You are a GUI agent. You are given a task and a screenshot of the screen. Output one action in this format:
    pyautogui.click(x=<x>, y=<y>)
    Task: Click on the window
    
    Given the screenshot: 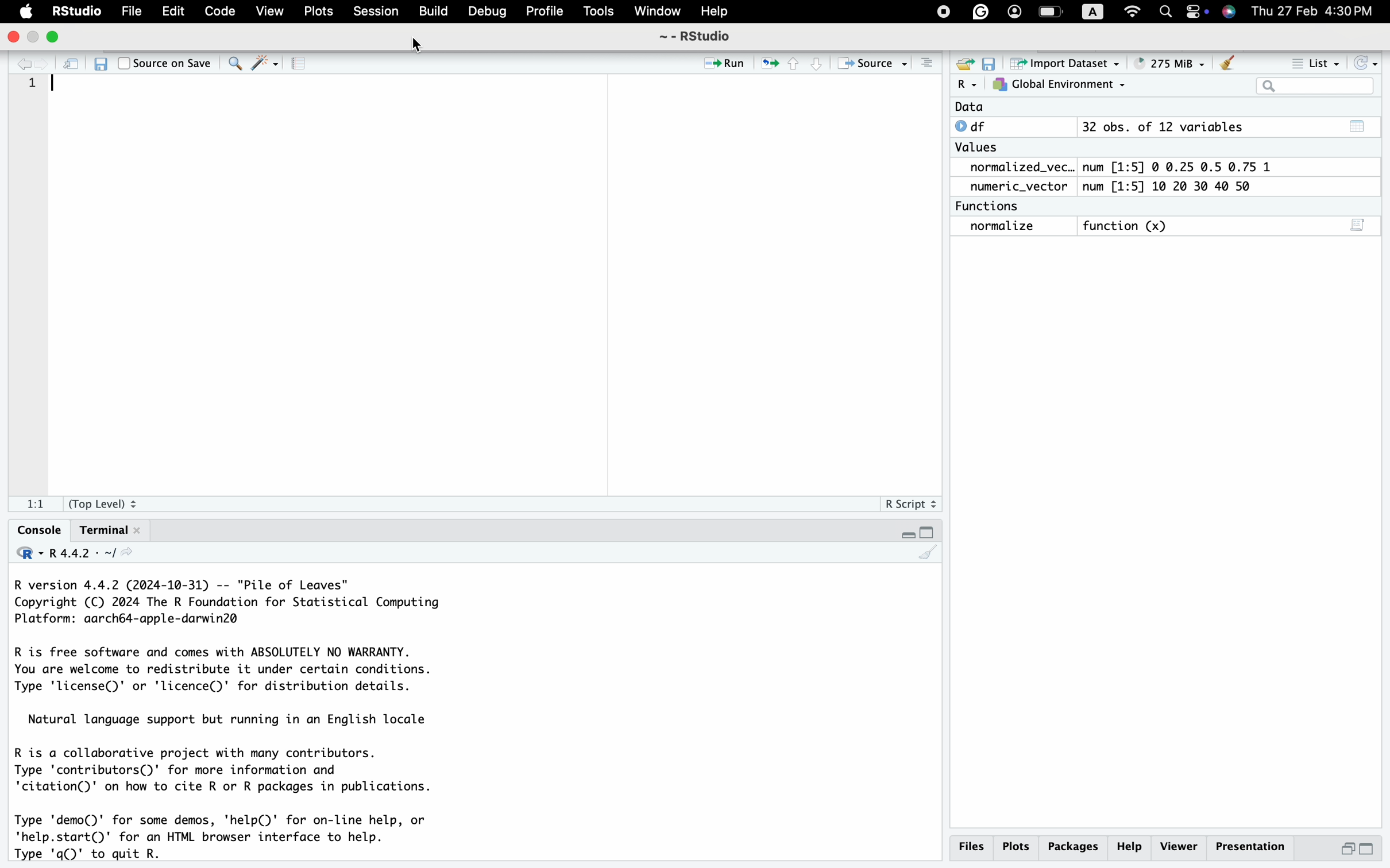 What is the action you would take?
    pyautogui.click(x=656, y=10)
    